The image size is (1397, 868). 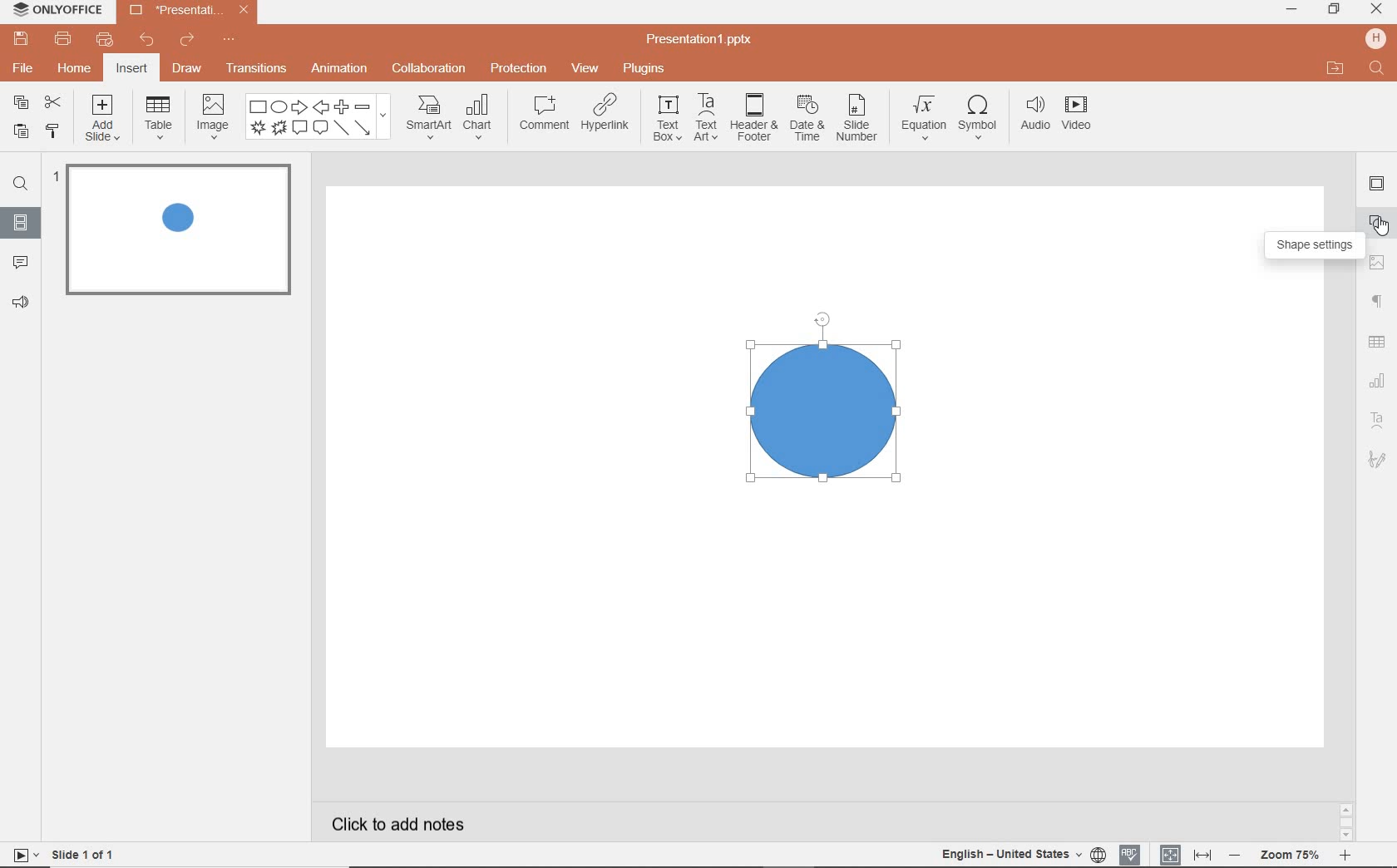 I want to click on collaboration, so click(x=430, y=70).